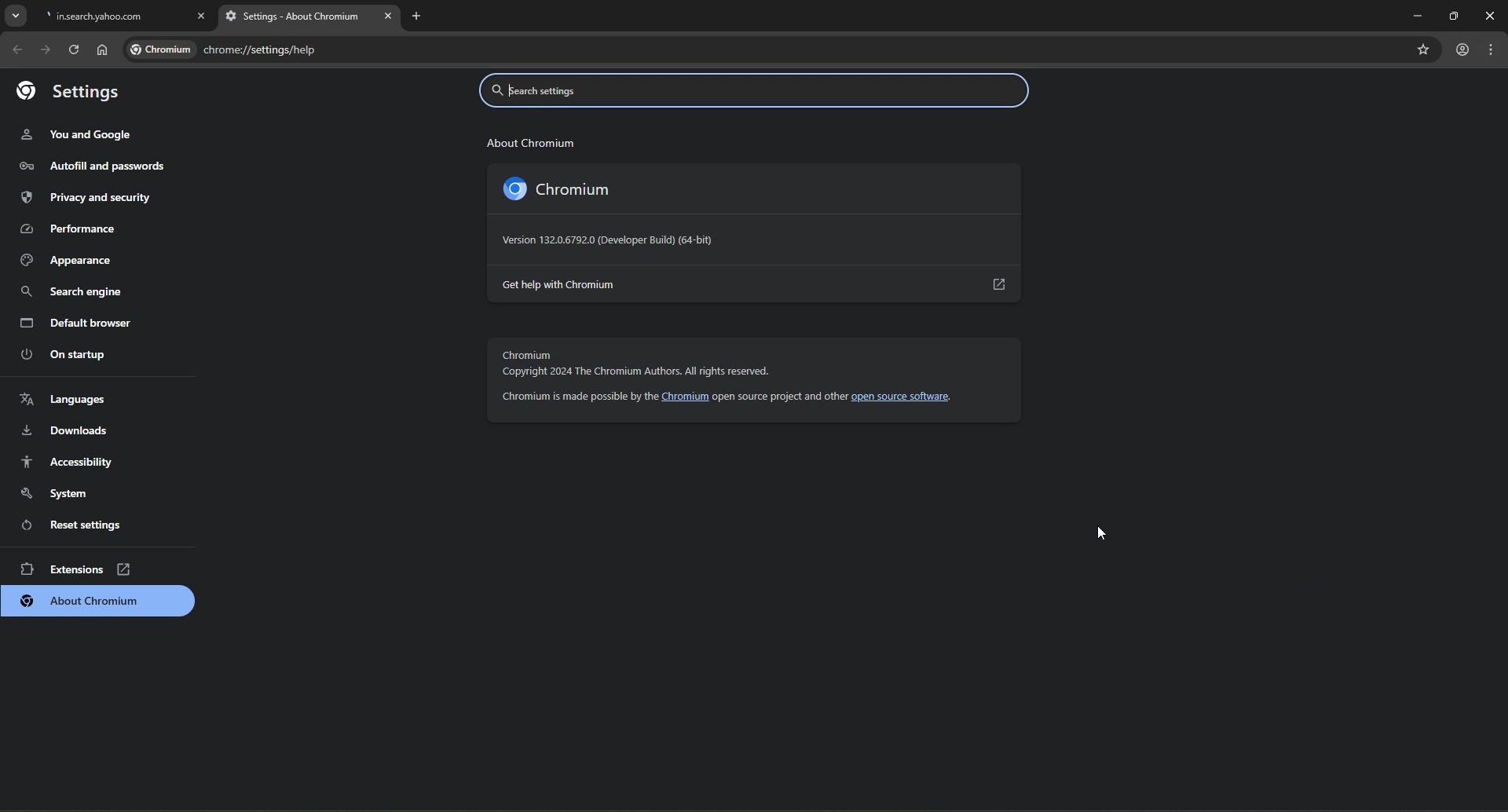 Image resolution: width=1508 pixels, height=812 pixels. I want to click on get Help with chromium, so click(756, 284).